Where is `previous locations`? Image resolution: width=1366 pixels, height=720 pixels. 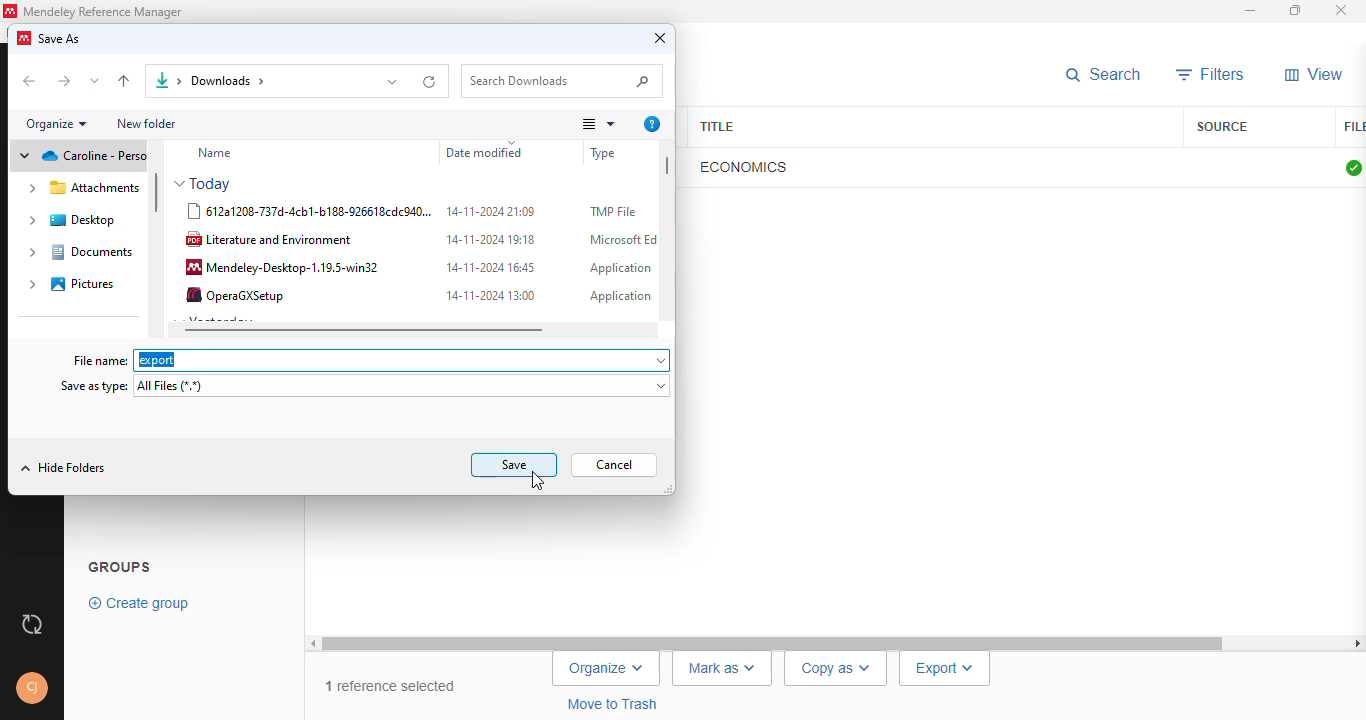
previous locations is located at coordinates (394, 83).